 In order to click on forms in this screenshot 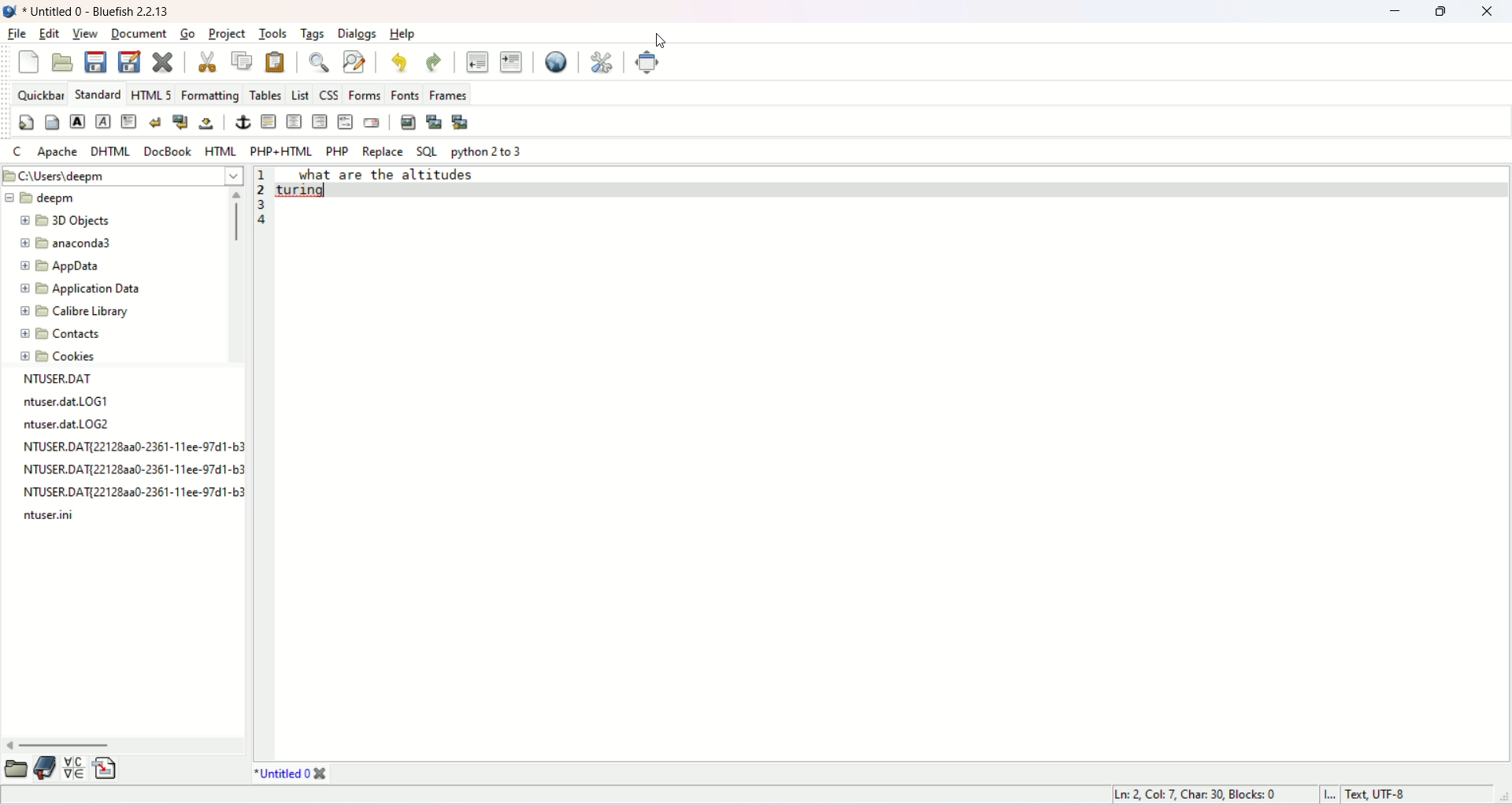, I will do `click(365, 95)`.